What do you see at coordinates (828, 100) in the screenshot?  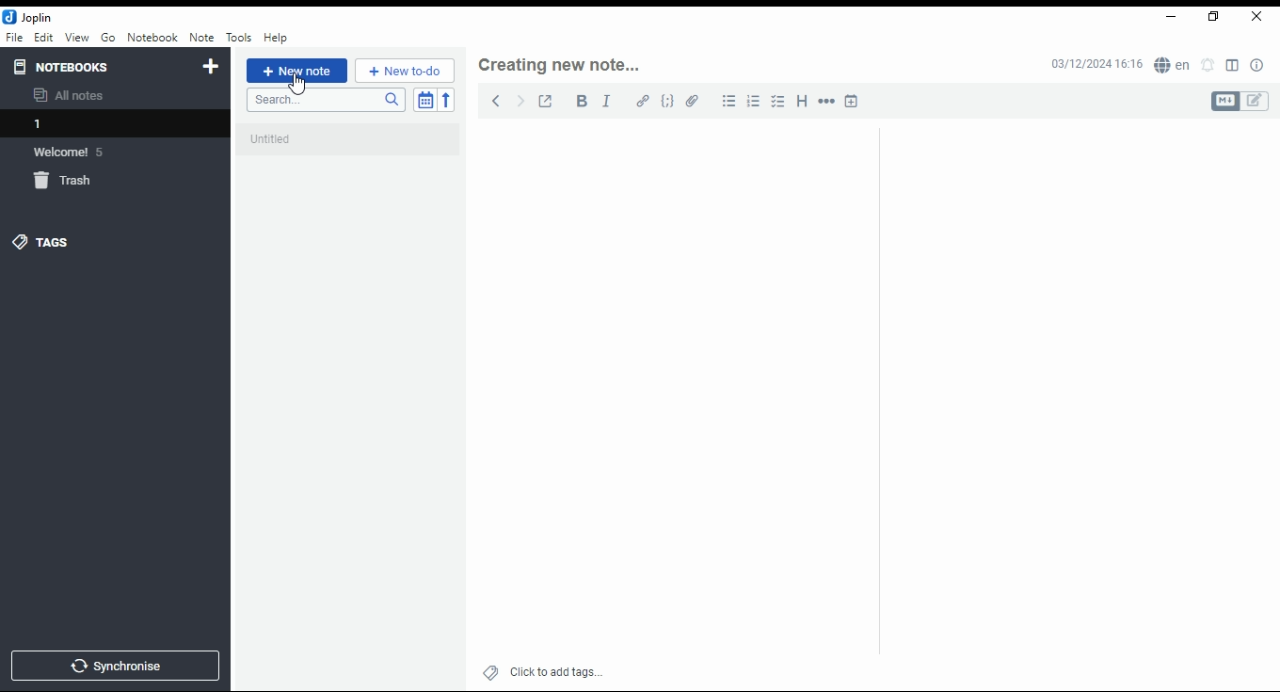 I see `horizontal rule` at bounding box center [828, 100].